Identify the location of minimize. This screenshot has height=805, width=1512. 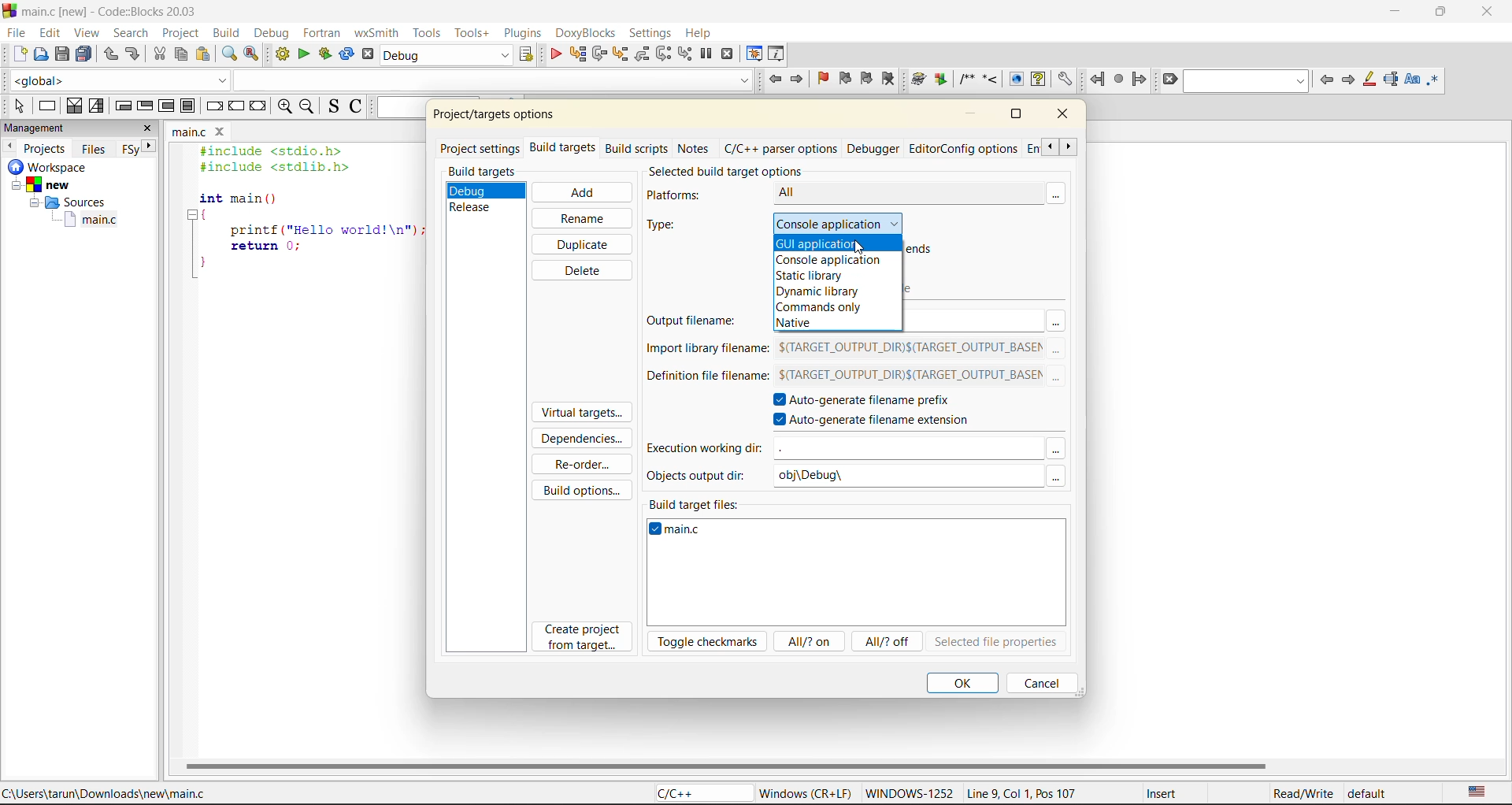
(977, 113).